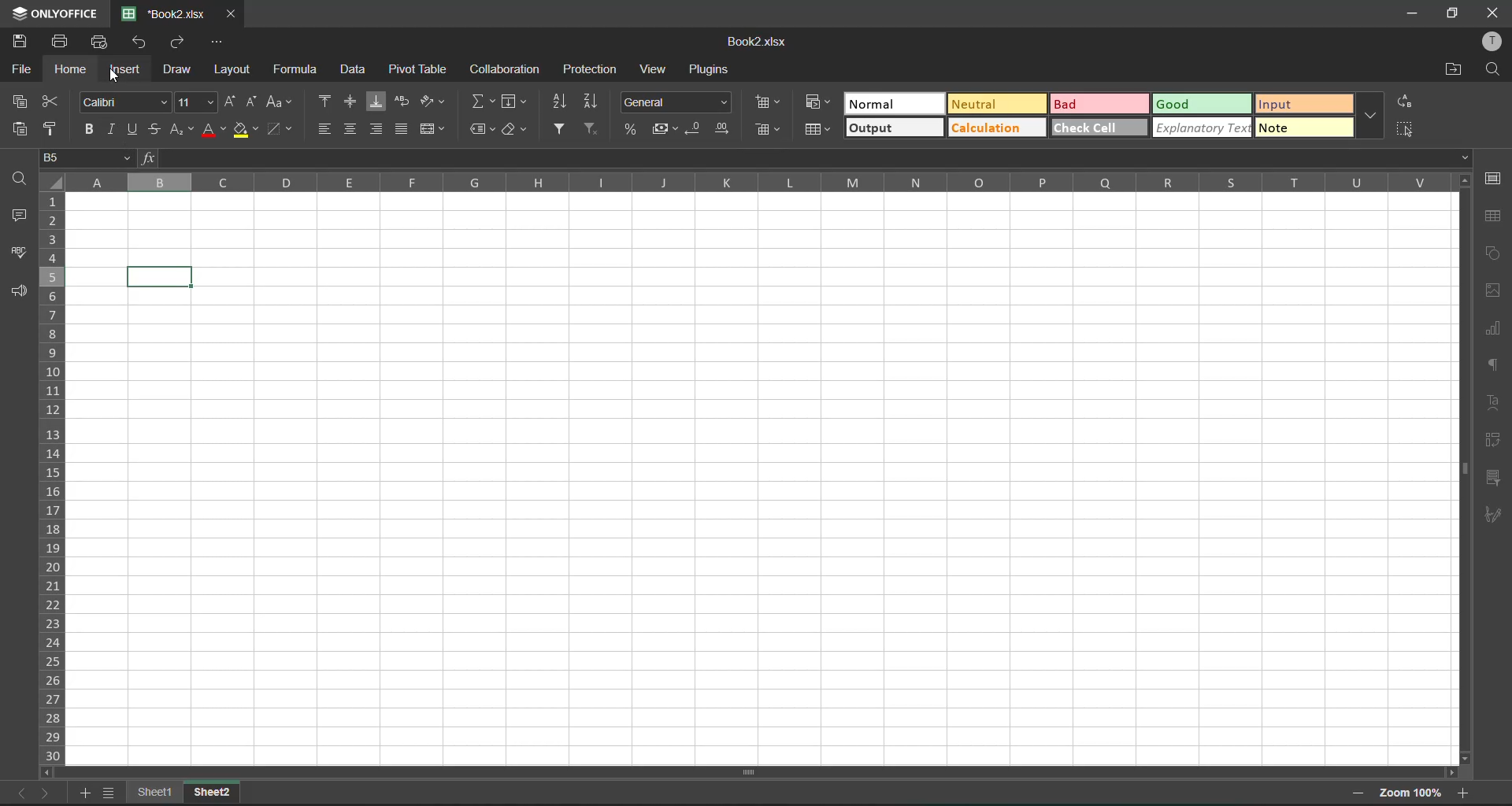 This screenshot has width=1512, height=806. I want to click on pivot table, so click(1496, 440).